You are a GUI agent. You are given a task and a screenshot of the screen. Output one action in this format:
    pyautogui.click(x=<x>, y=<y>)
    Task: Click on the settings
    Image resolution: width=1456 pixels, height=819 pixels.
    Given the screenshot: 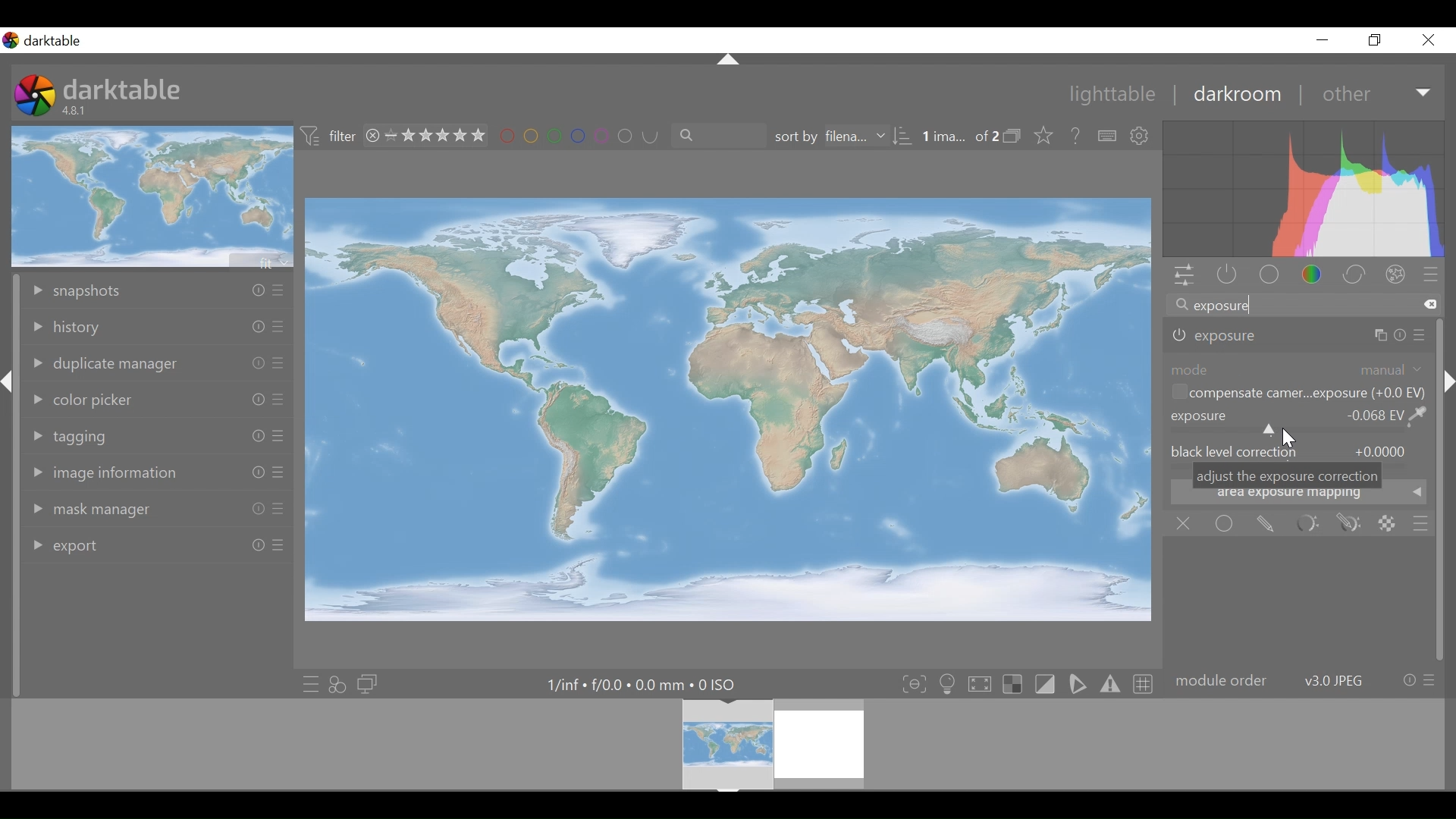 What is the action you would take?
    pyautogui.click(x=1141, y=136)
    